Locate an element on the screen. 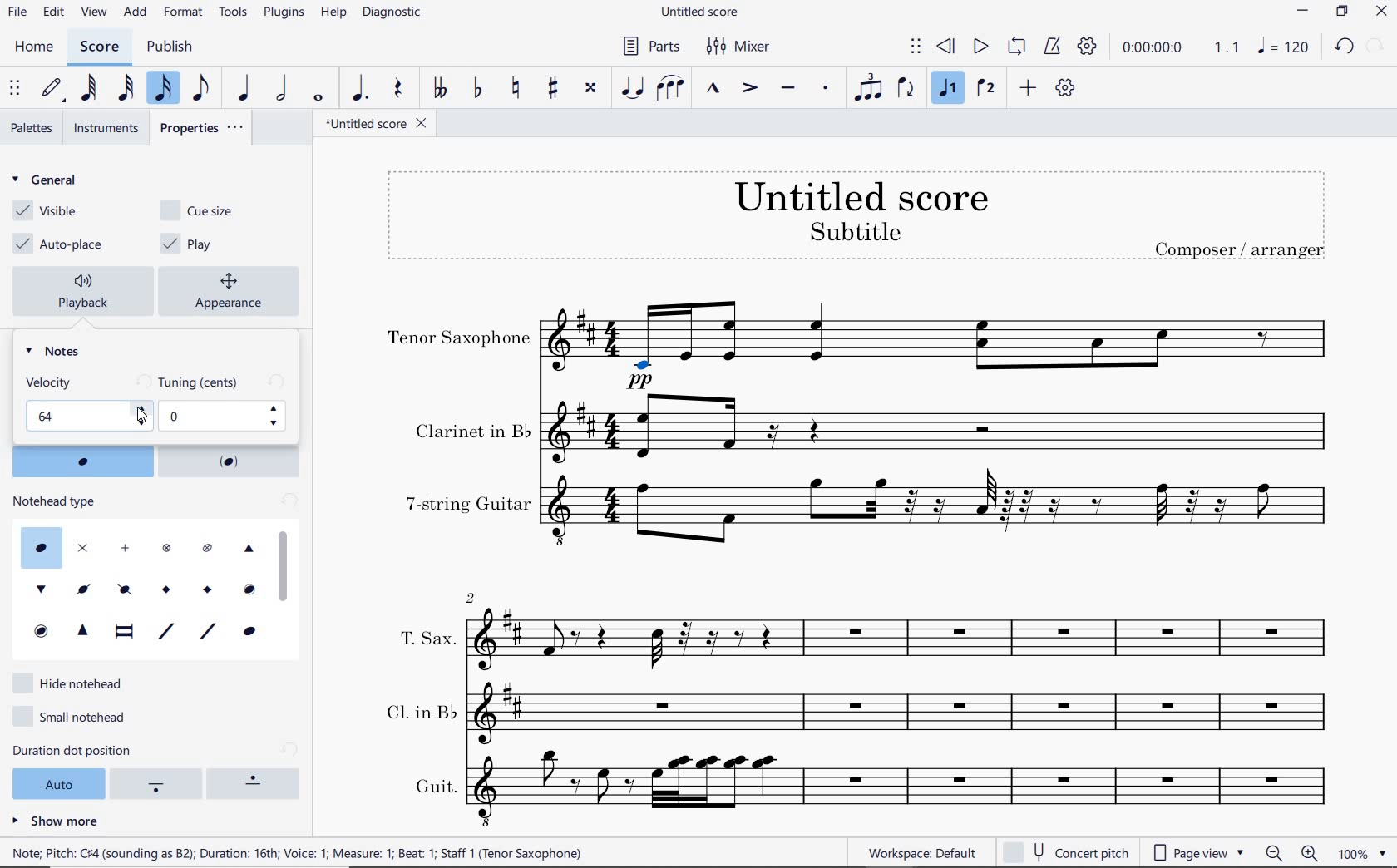 This screenshot has height=868, width=1397. 2 is located at coordinates (471, 596).